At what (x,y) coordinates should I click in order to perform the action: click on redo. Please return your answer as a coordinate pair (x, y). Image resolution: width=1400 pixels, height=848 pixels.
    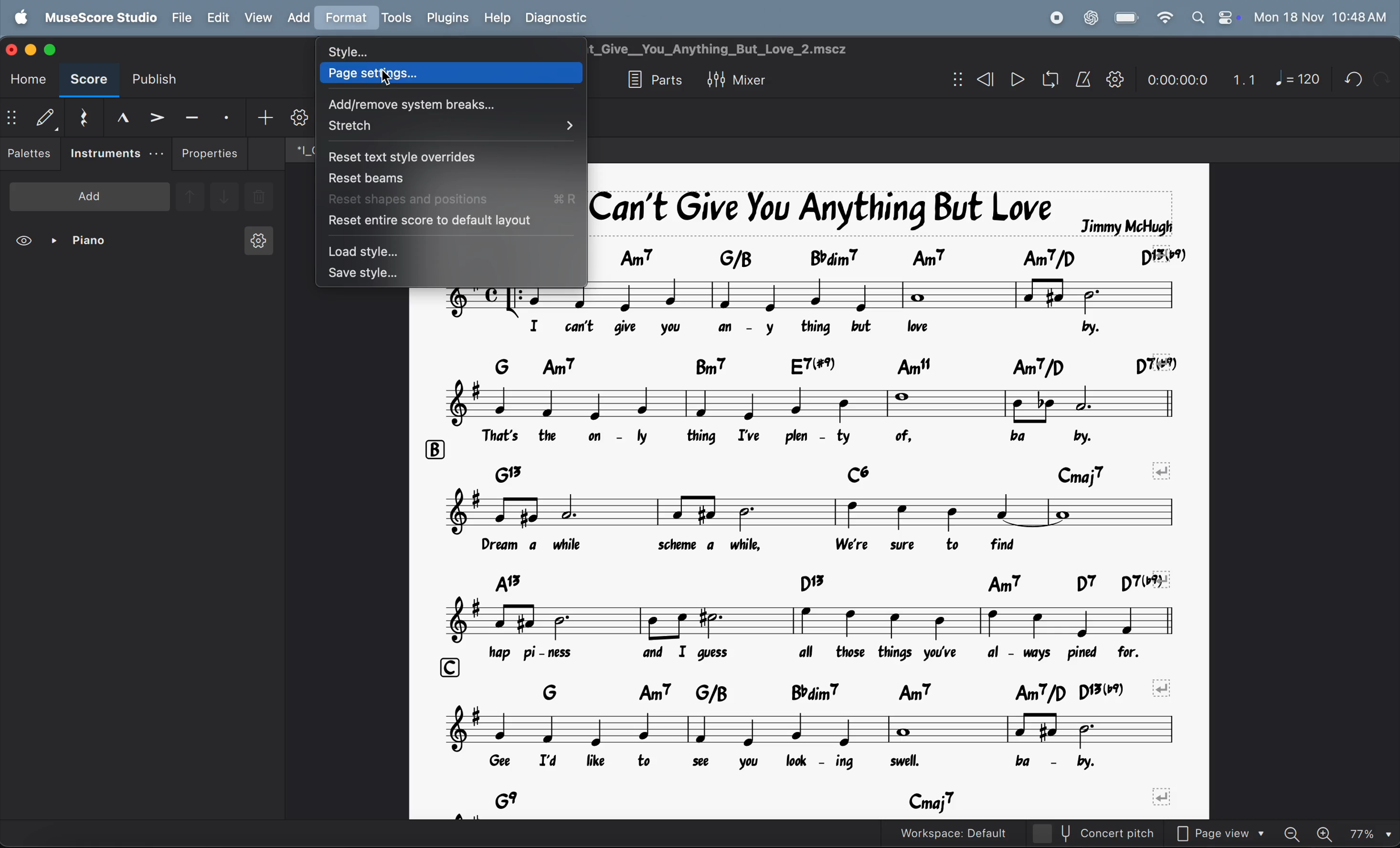
    Looking at the image, I should click on (1349, 79).